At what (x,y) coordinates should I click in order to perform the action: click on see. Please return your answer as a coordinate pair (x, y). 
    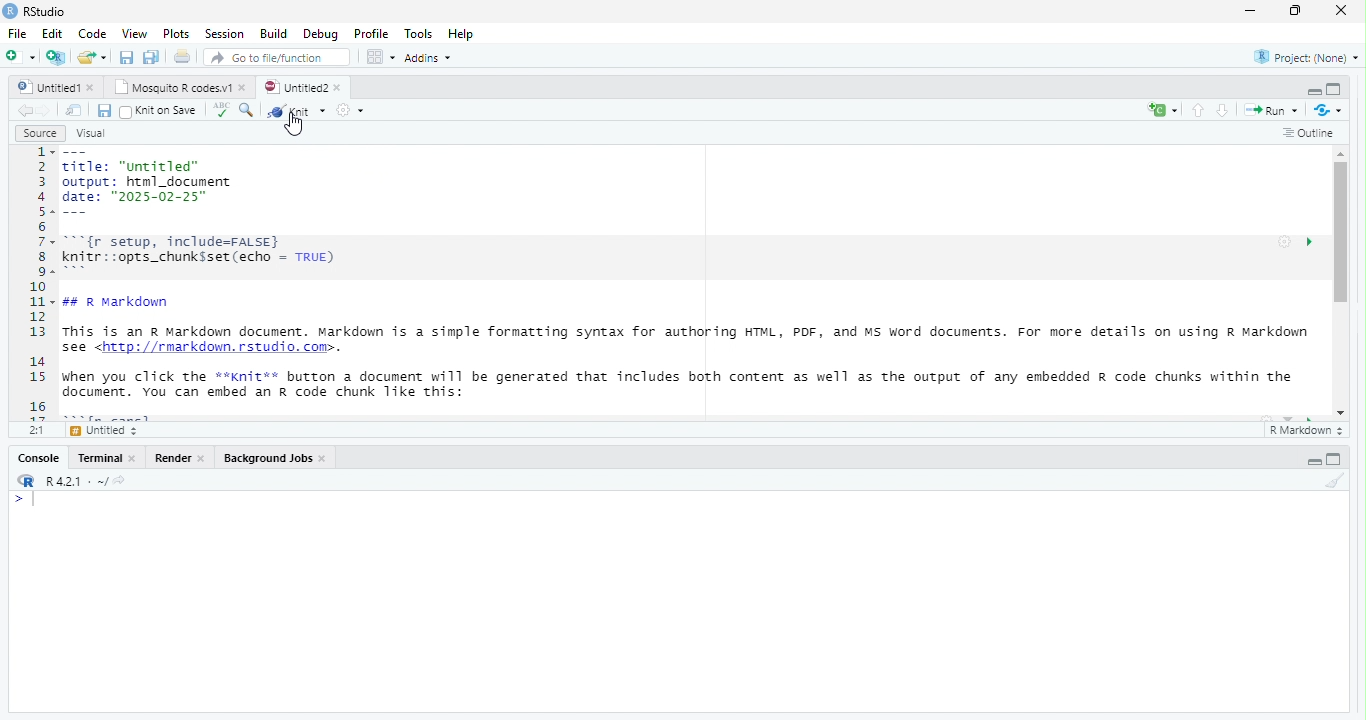
    Looking at the image, I should click on (74, 348).